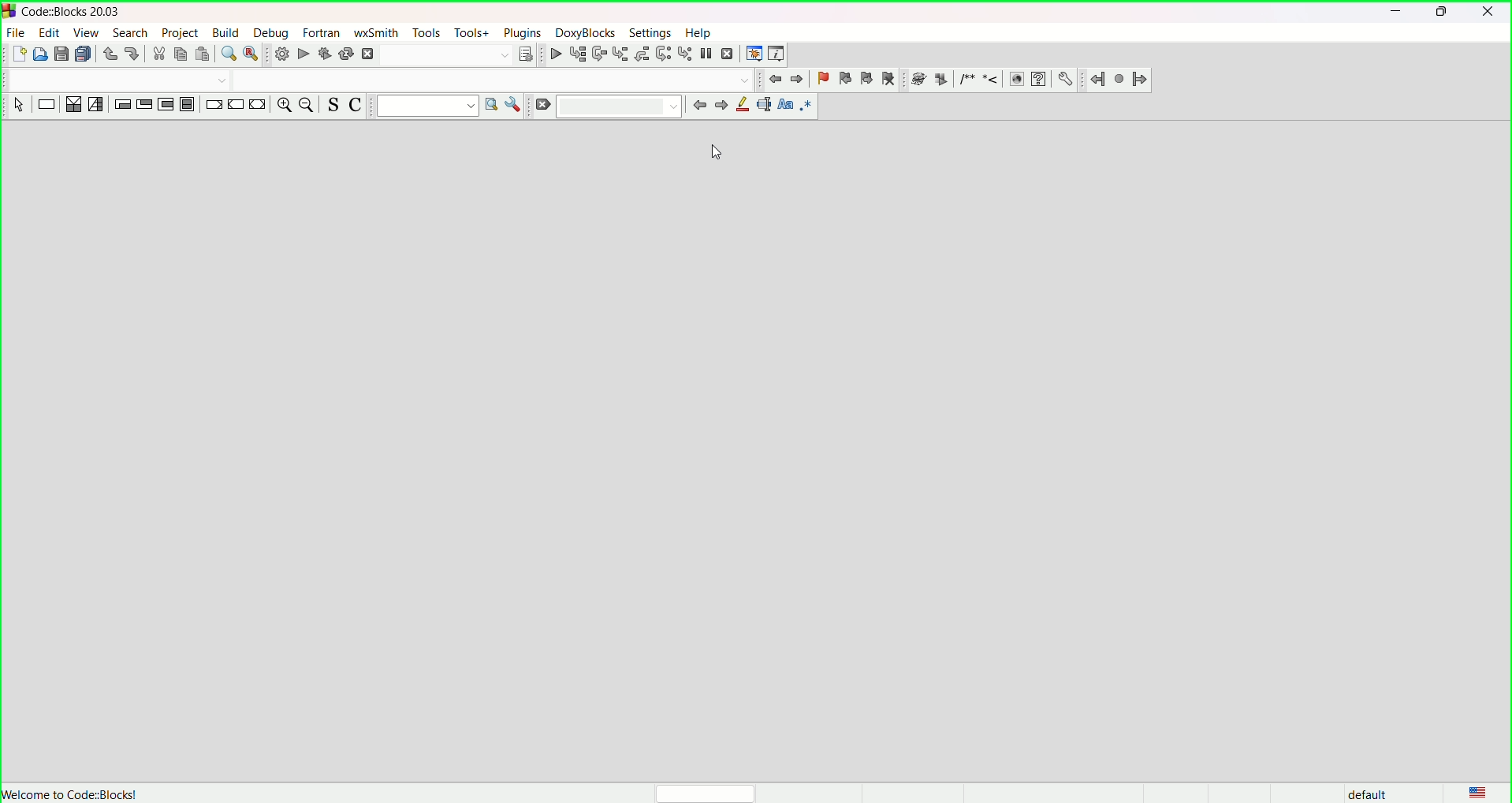 The width and height of the screenshot is (1512, 803). I want to click on save everything, so click(87, 54).